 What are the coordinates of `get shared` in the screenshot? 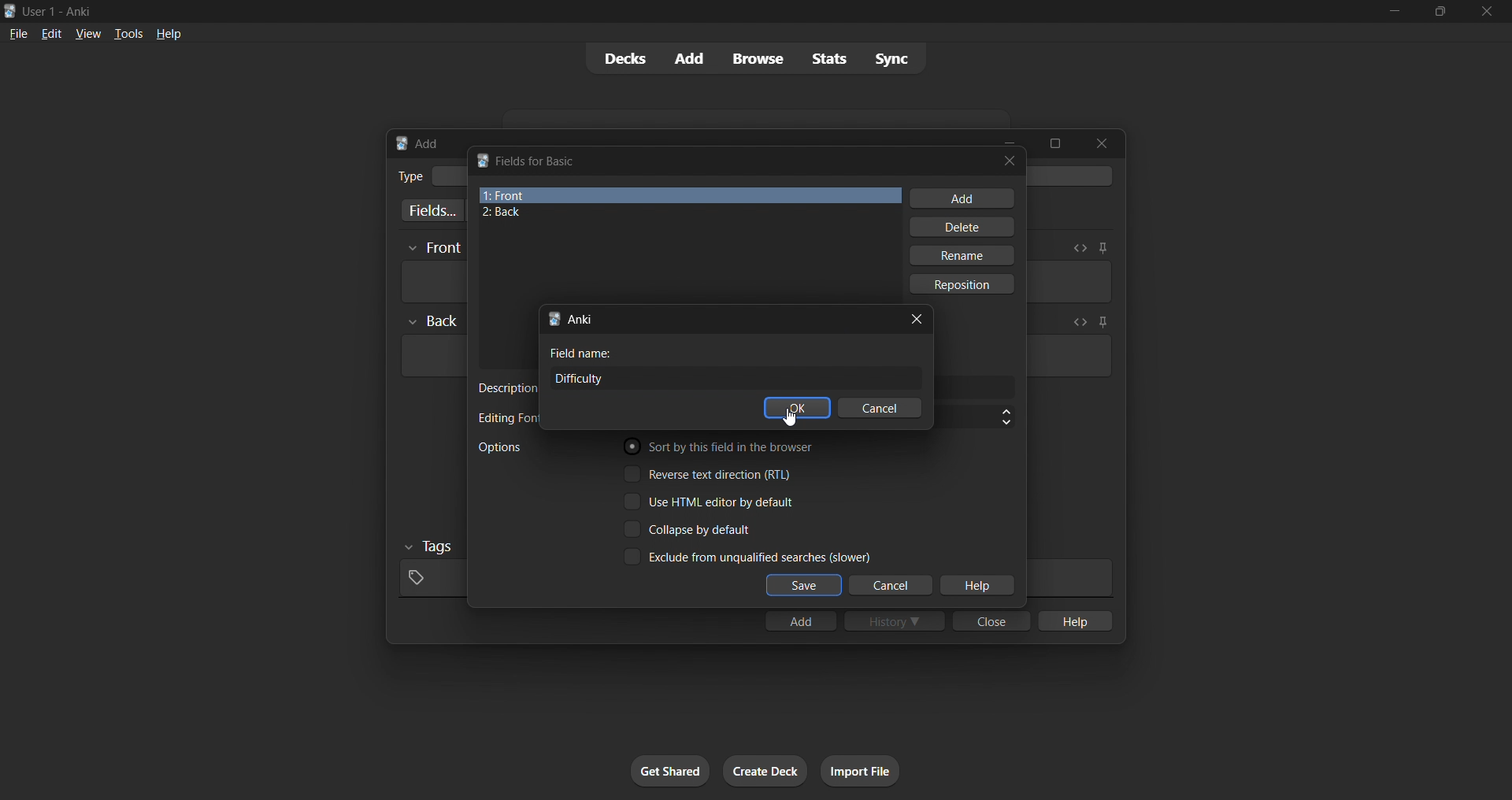 It's located at (670, 771).